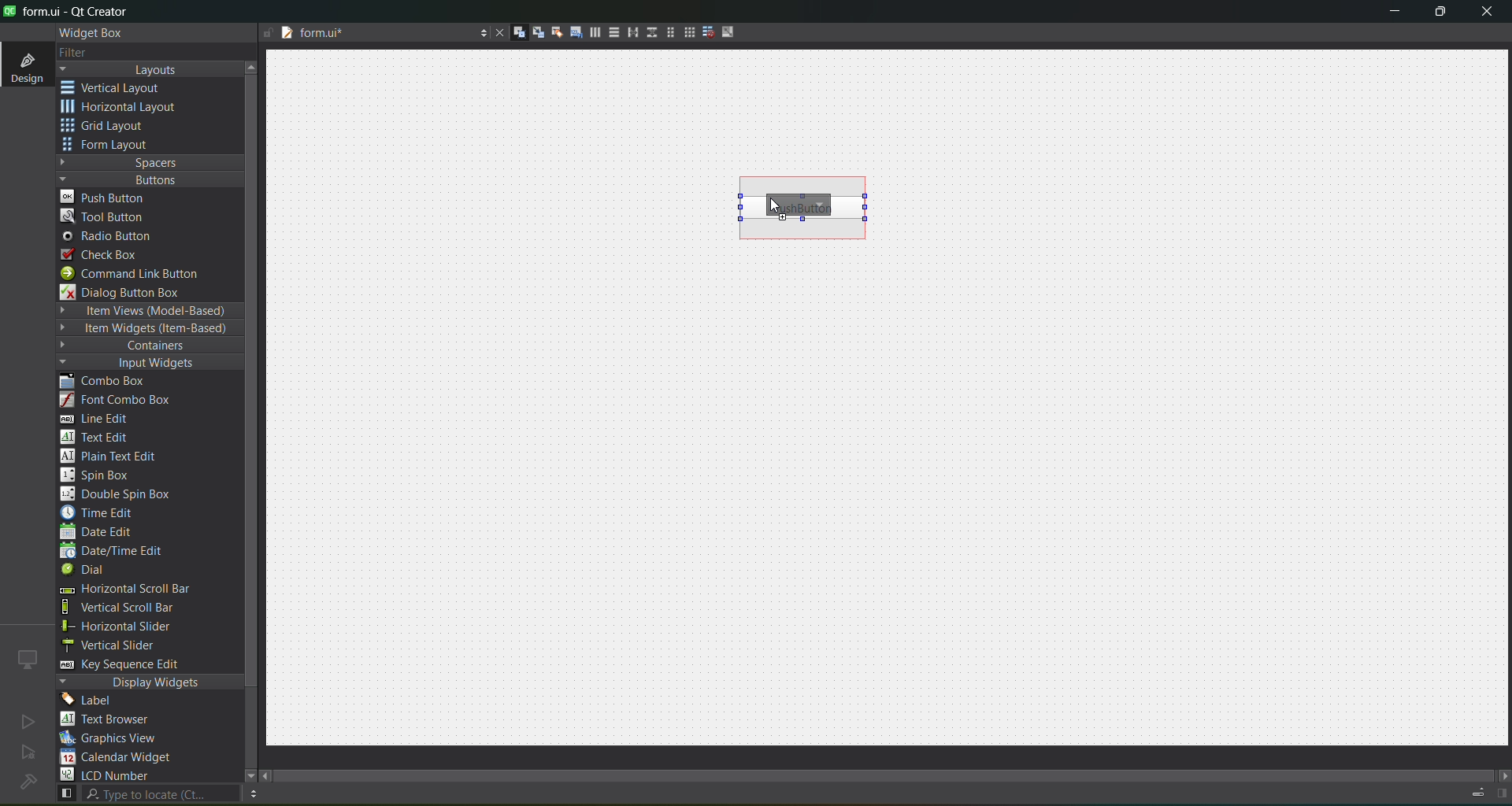 The image size is (1512, 806). What do you see at coordinates (121, 401) in the screenshot?
I see `font combo box` at bounding box center [121, 401].